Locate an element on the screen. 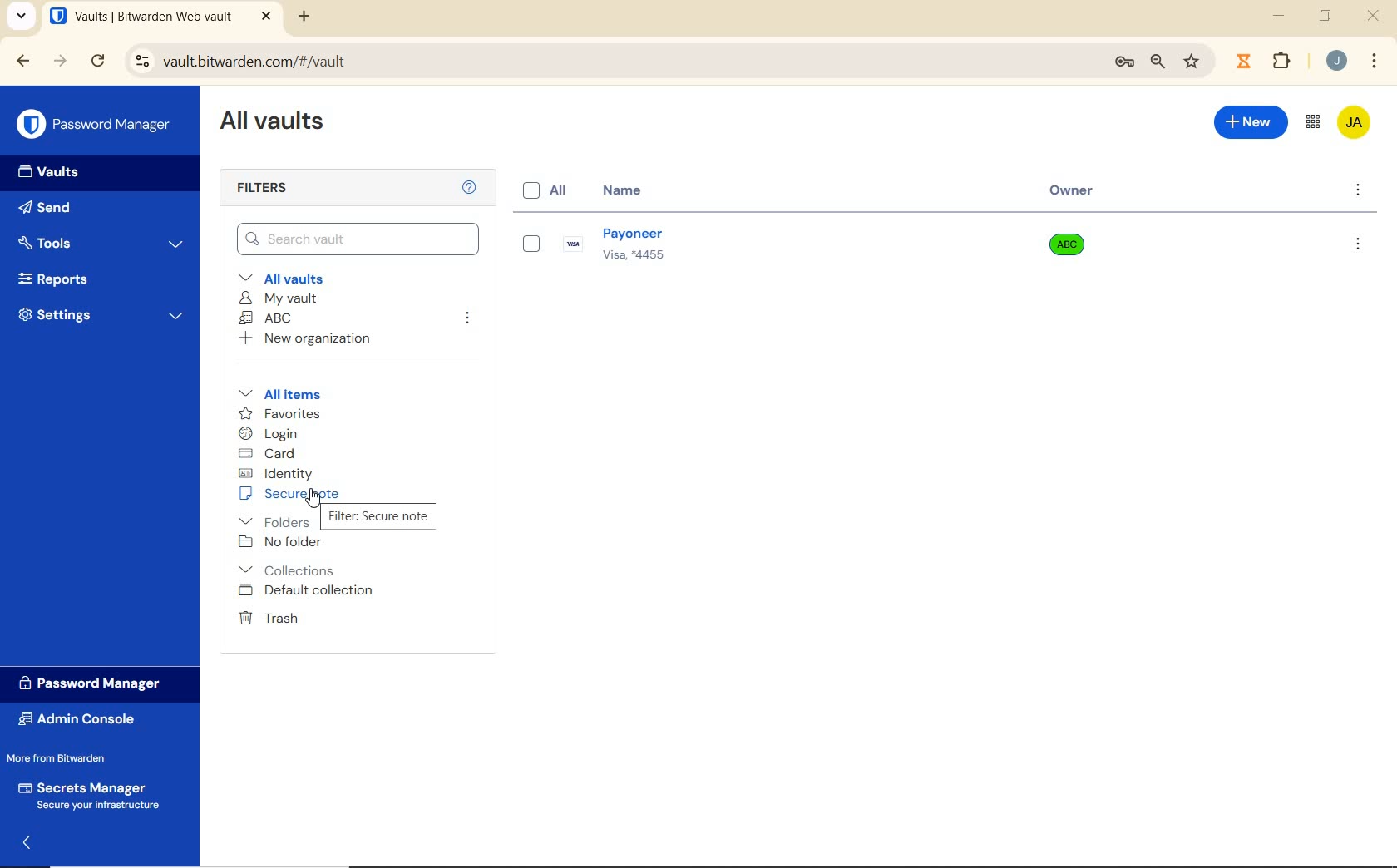 The width and height of the screenshot is (1397, 868). open tab is located at coordinates (160, 16).